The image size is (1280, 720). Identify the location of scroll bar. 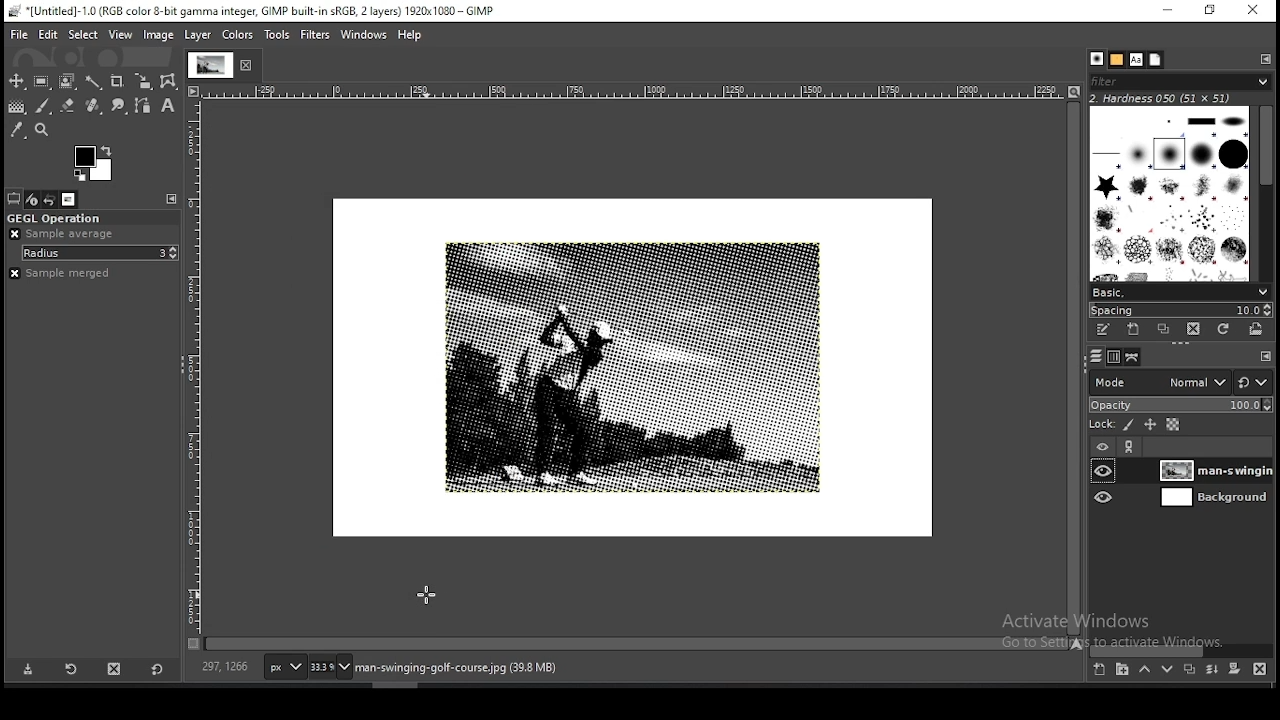
(1261, 193).